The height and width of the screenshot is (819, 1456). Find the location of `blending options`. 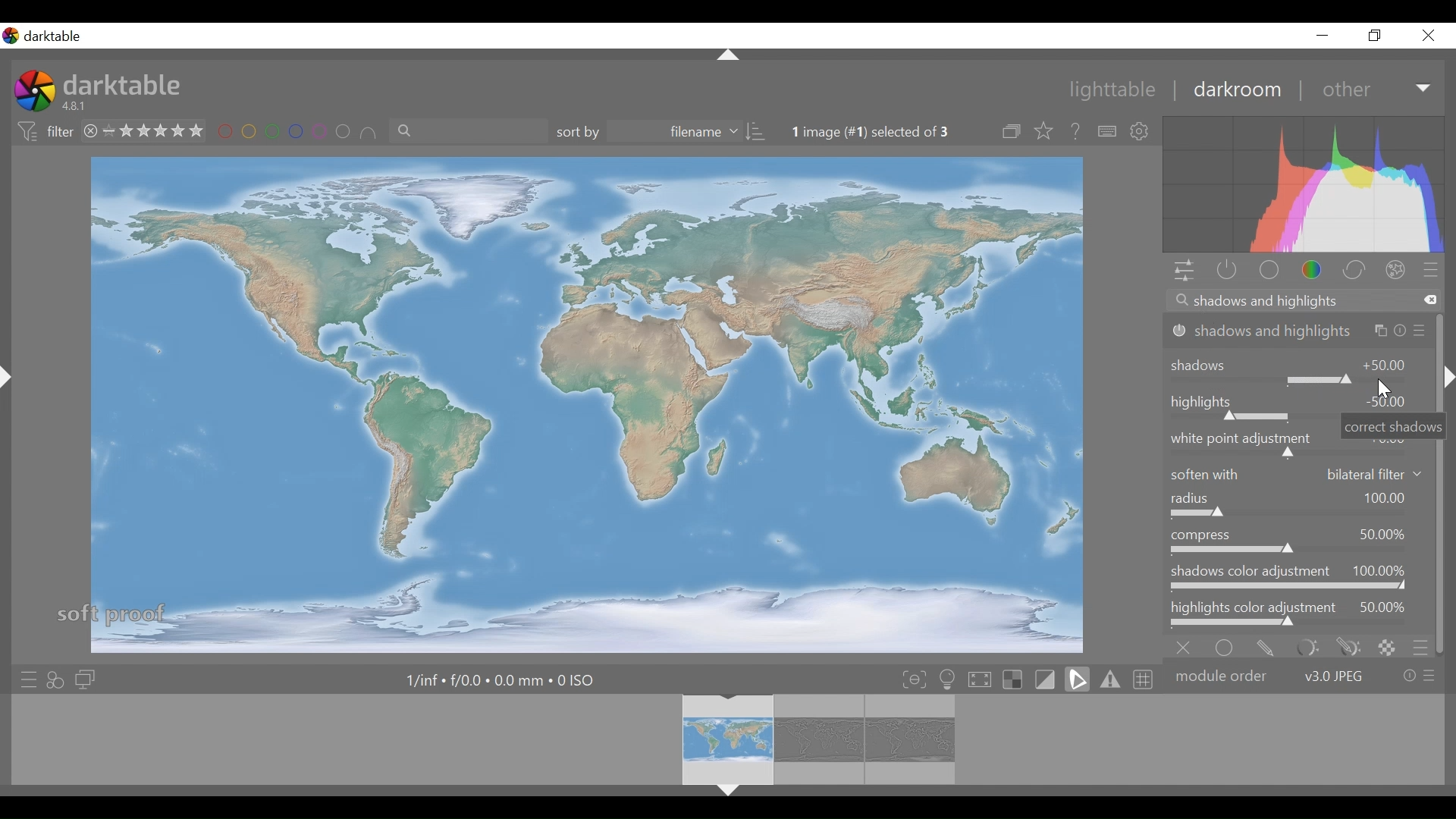

blending options is located at coordinates (1421, 646).